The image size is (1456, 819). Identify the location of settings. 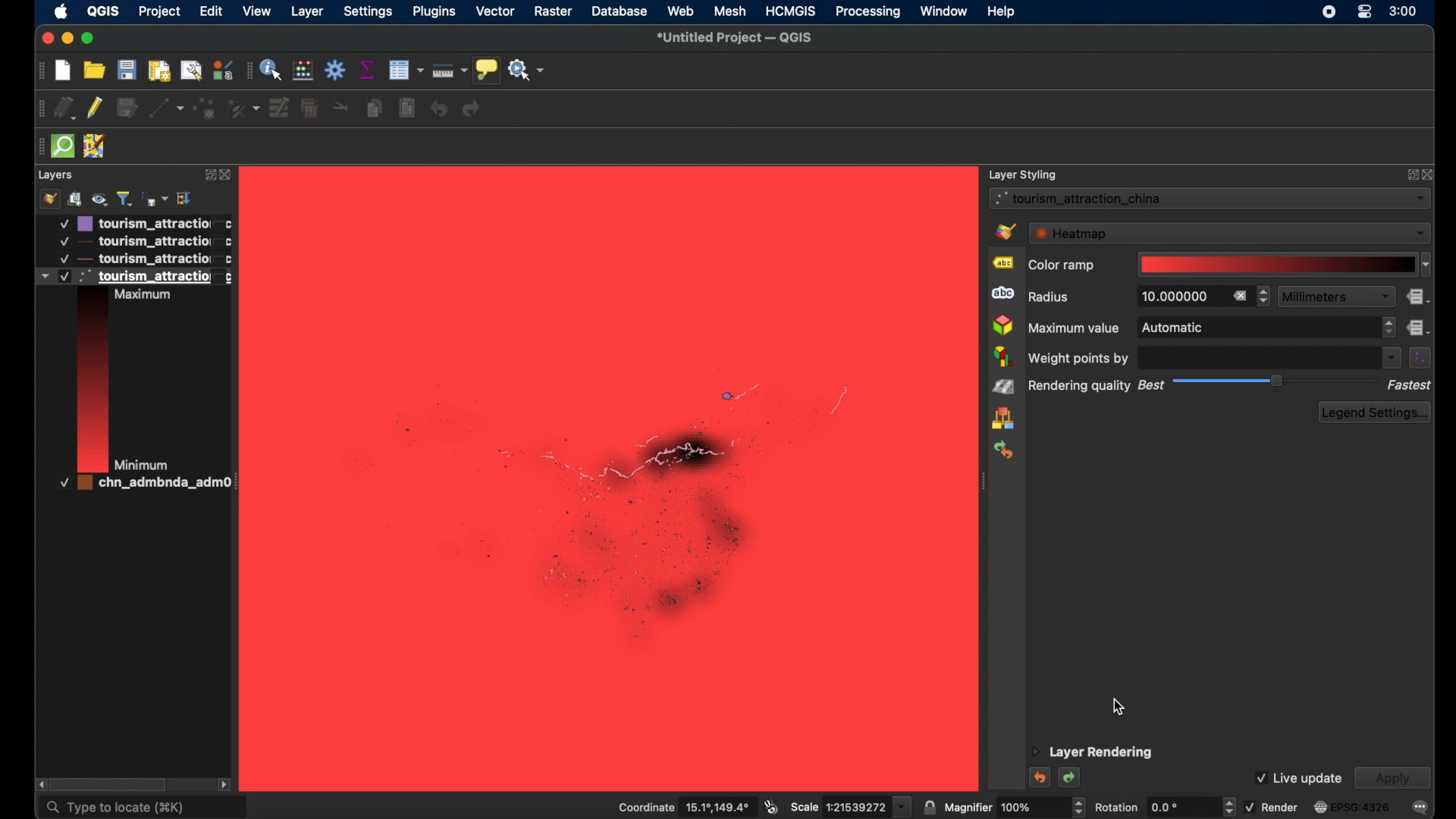
(370, 13).